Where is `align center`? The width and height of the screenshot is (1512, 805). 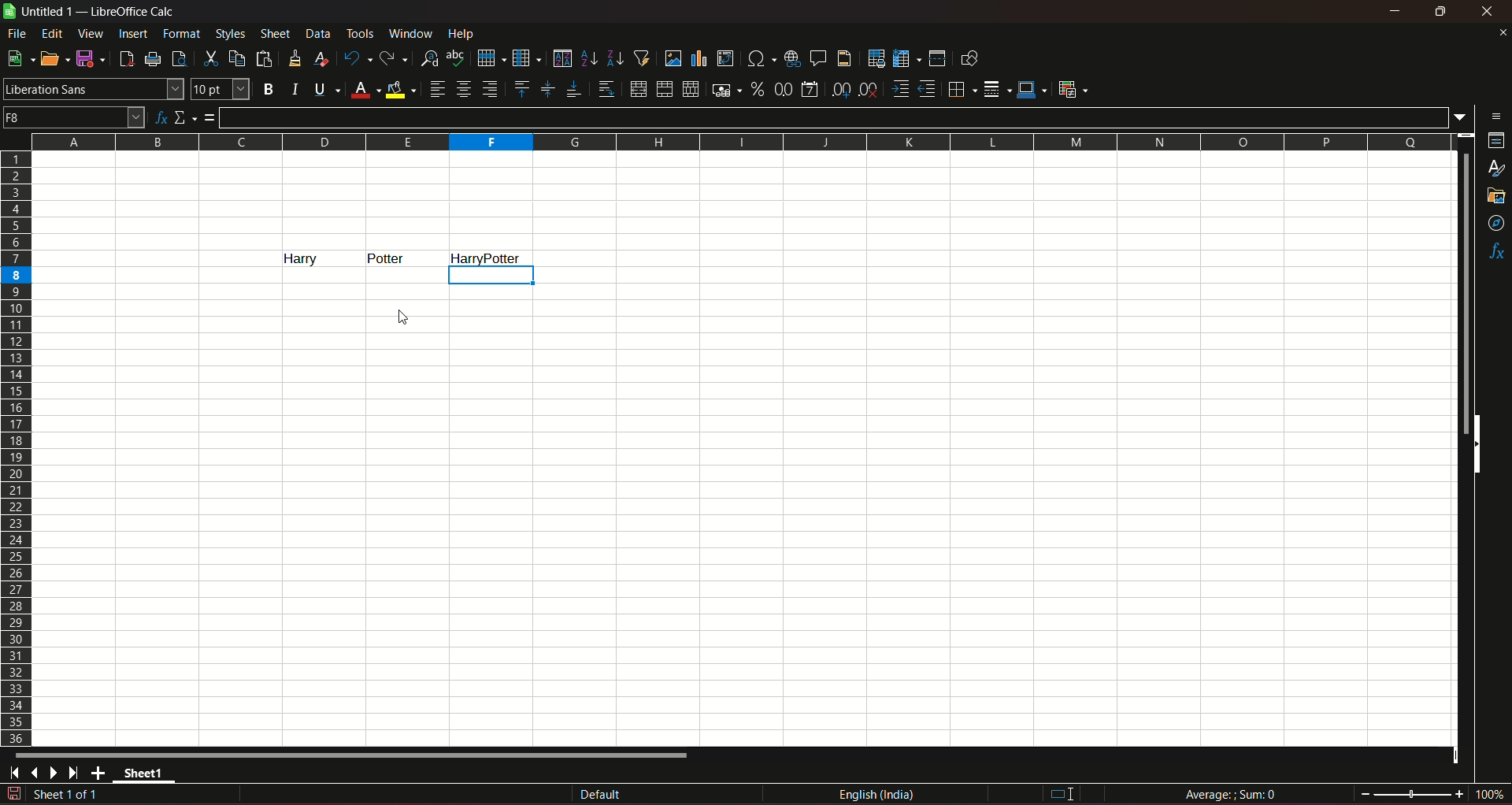 align center is located at coordinates (464, 89).